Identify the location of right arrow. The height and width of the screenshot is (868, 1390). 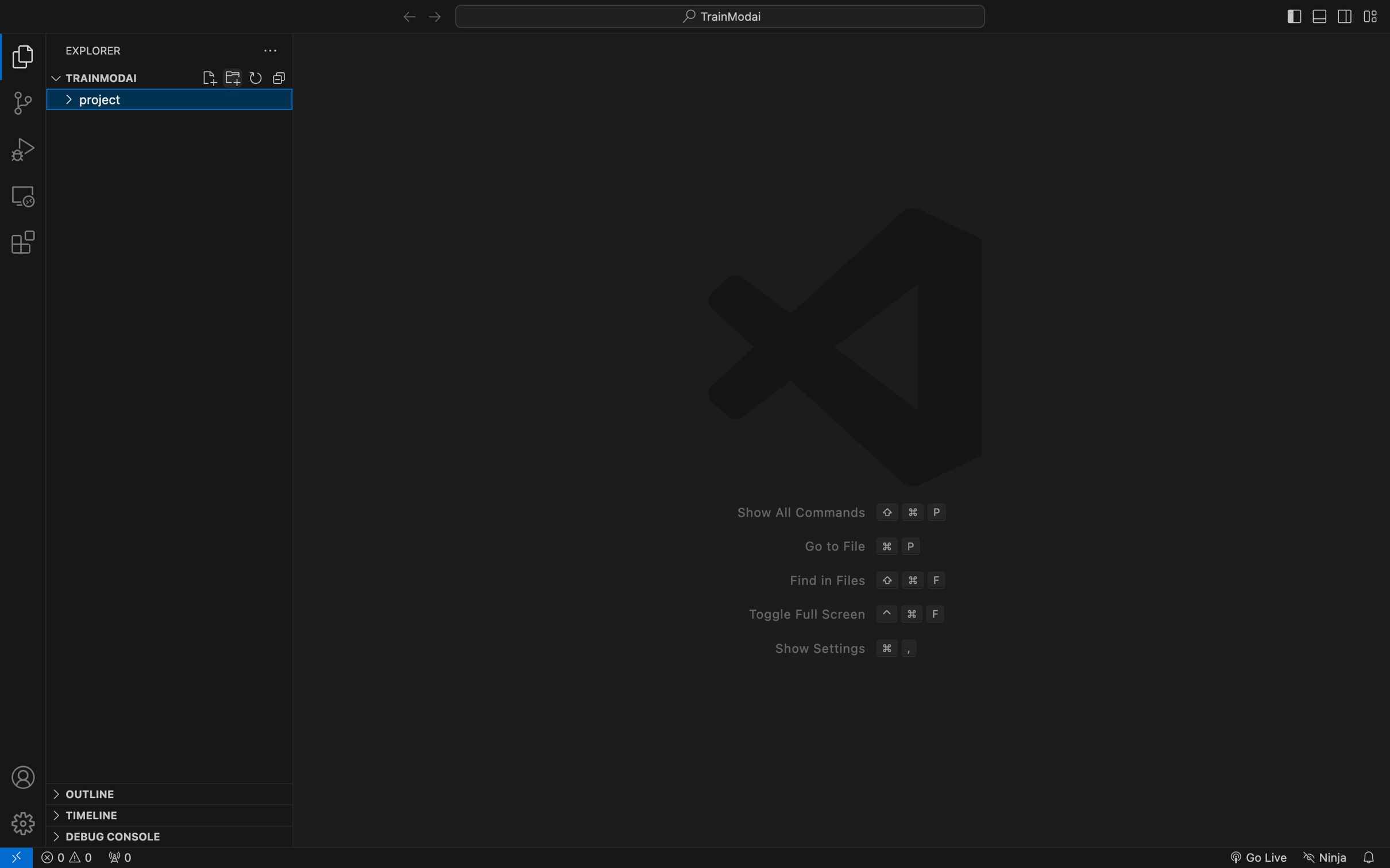
(400, 15).